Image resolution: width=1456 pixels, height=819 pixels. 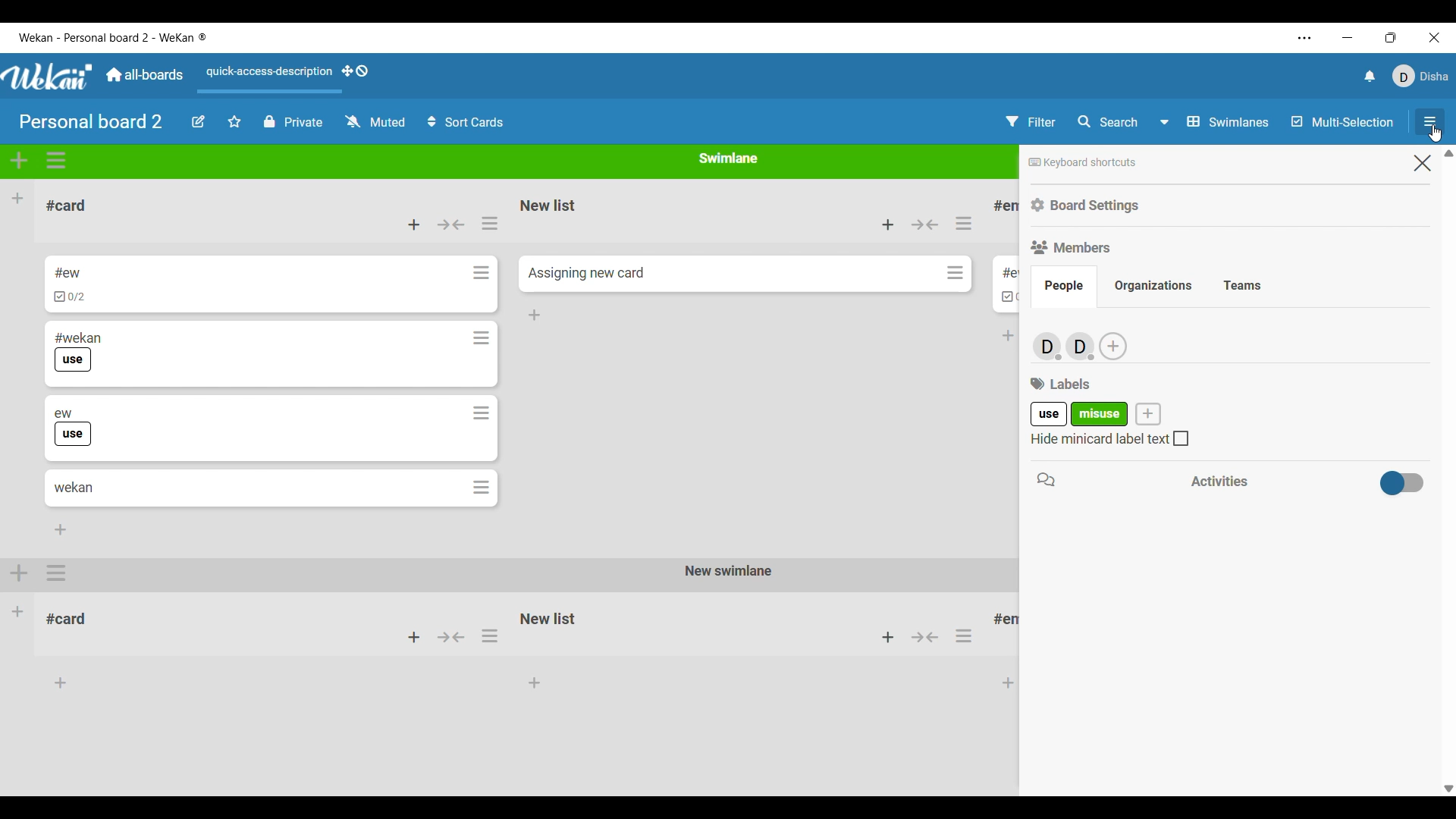 What do you see at coordinates (72, 427) in the screenshot?
I see `Card title and label` at bounding box center [72, 427].